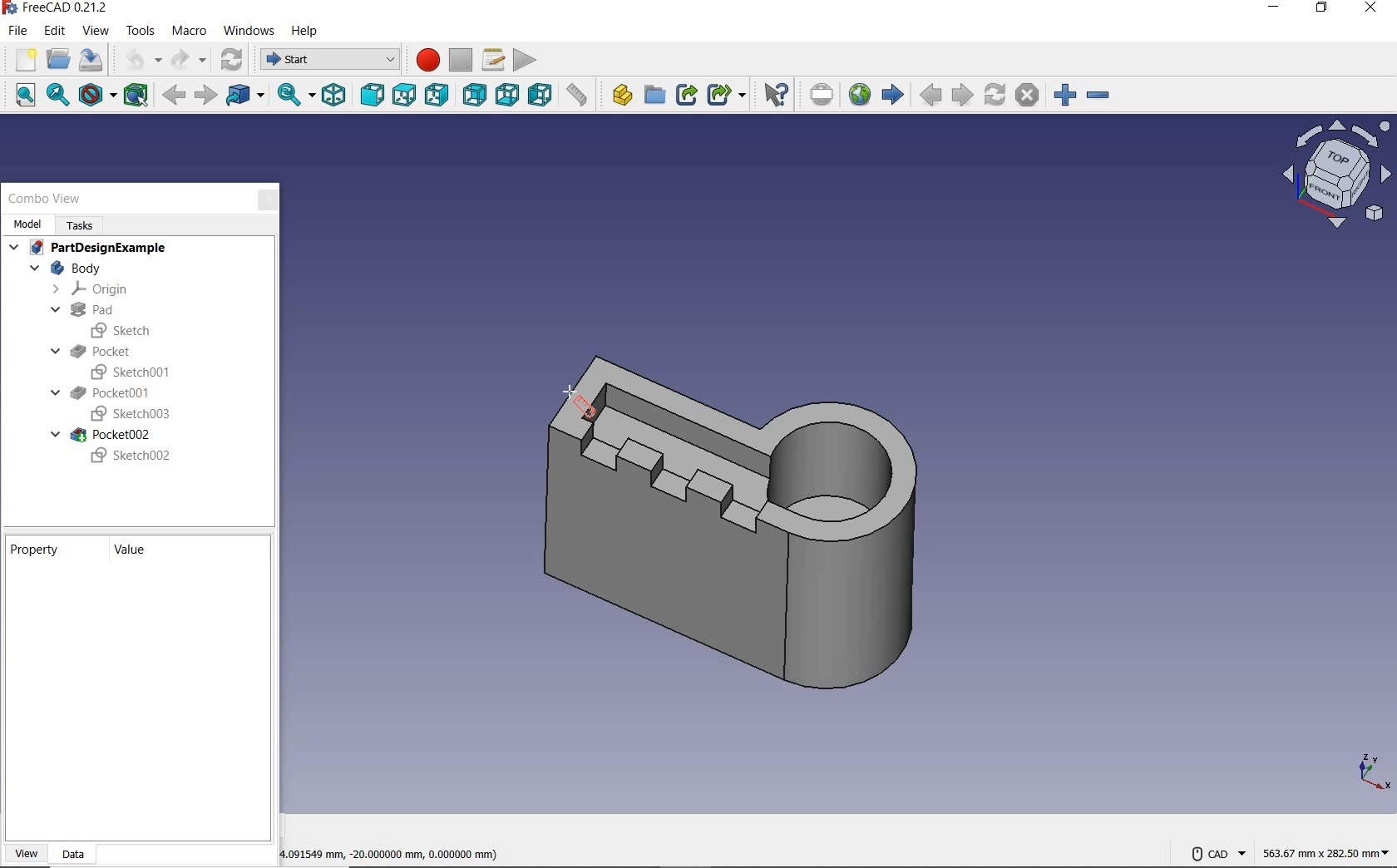 This screenshot has width=1397, height=868. What do you see at coordinates (576, 97) in the screenshot?
I see `ruler` at bounding box center [576, 97].